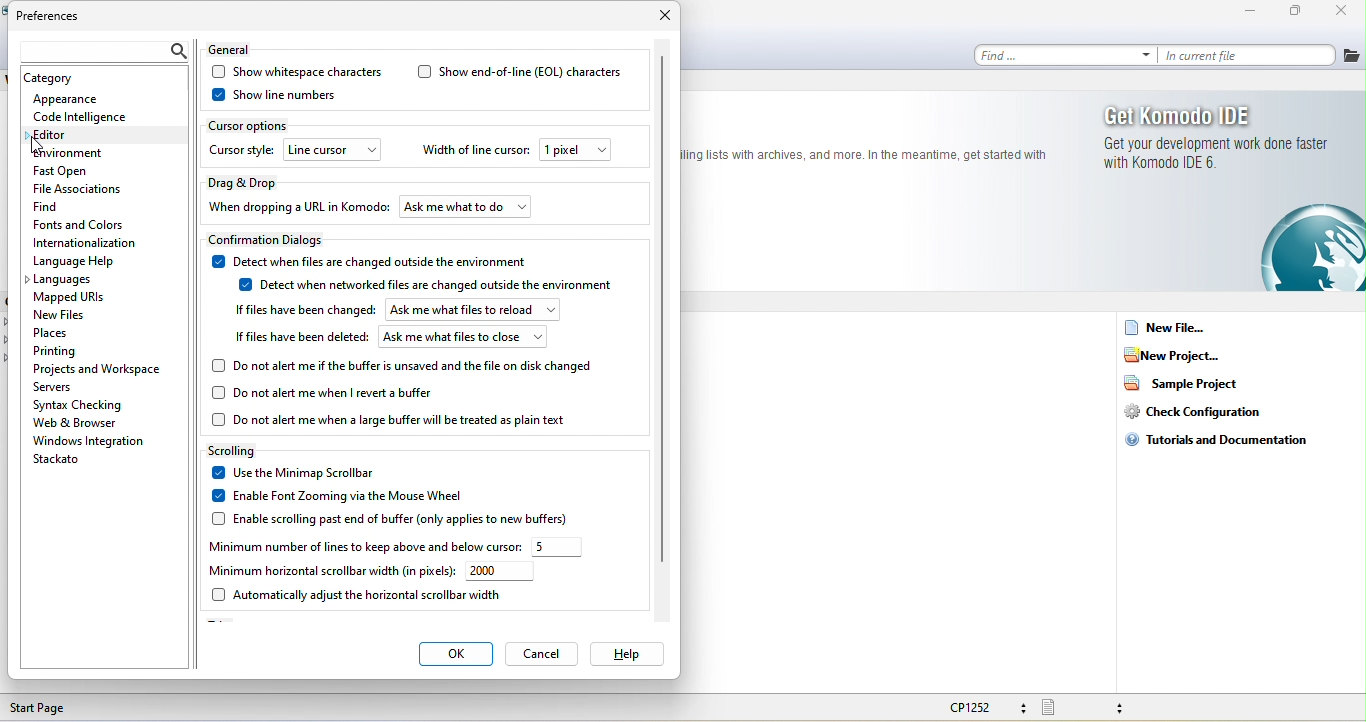 This screenshot has height=722, width=1366. Describe the element at coordinates (1176, 354) in the screenshot. I see `new project` at that location.